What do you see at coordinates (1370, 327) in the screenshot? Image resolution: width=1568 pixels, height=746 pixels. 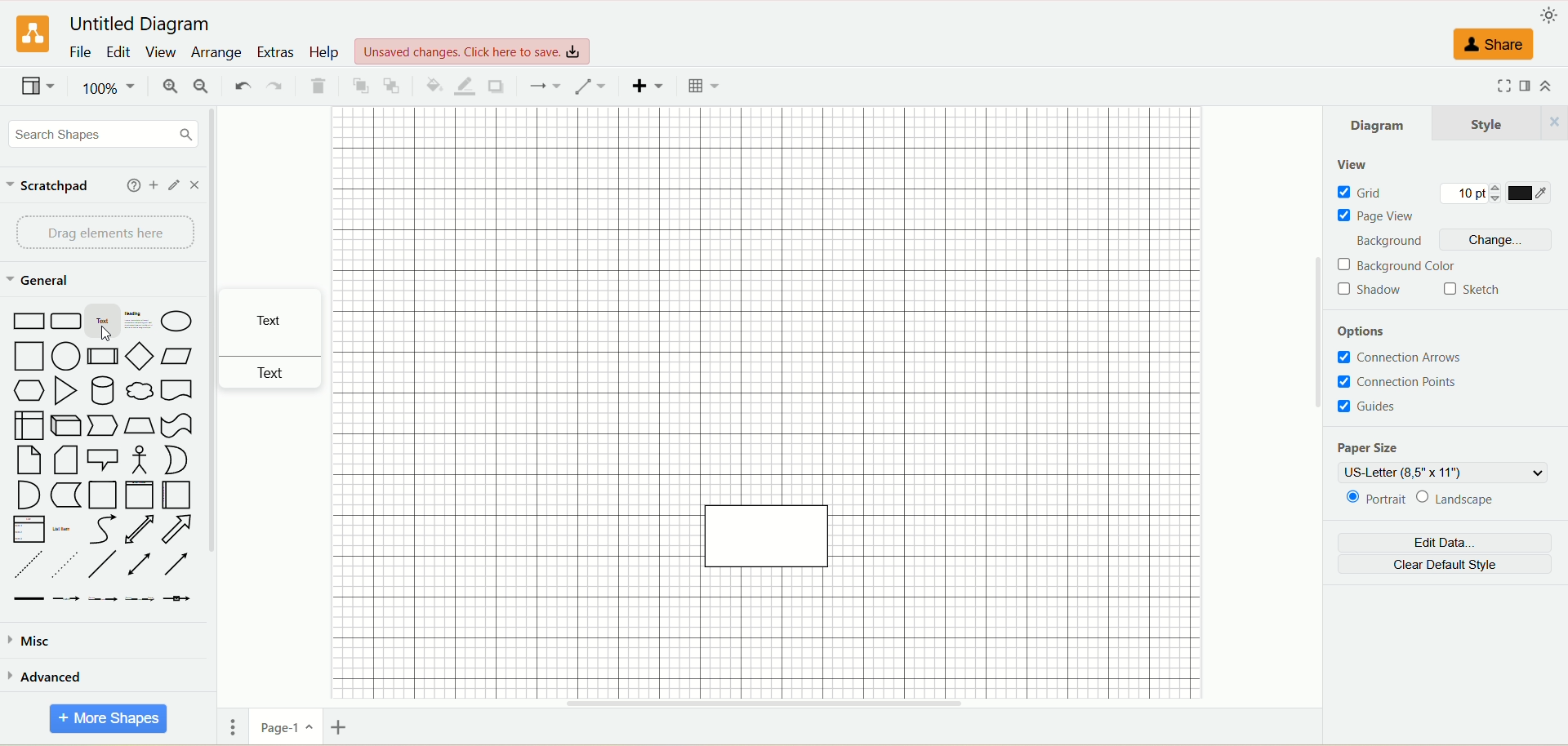 I see `options` at bounding box center [1370, 327].